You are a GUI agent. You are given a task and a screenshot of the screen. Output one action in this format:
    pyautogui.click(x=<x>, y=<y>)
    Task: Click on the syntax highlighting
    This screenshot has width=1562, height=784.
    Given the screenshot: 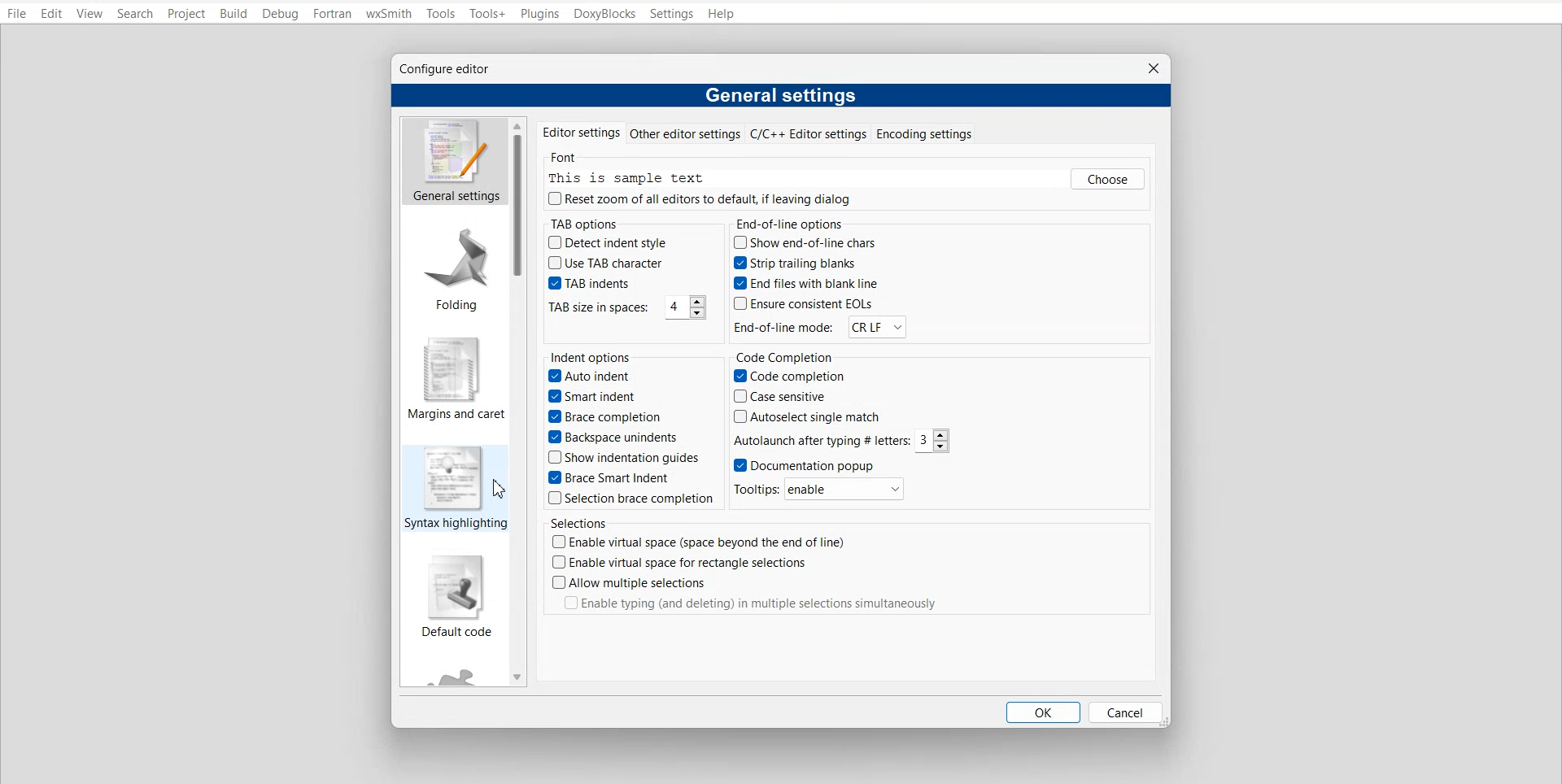 What is the action you would take?
    pyautogui.click(x=454, y=487)
    